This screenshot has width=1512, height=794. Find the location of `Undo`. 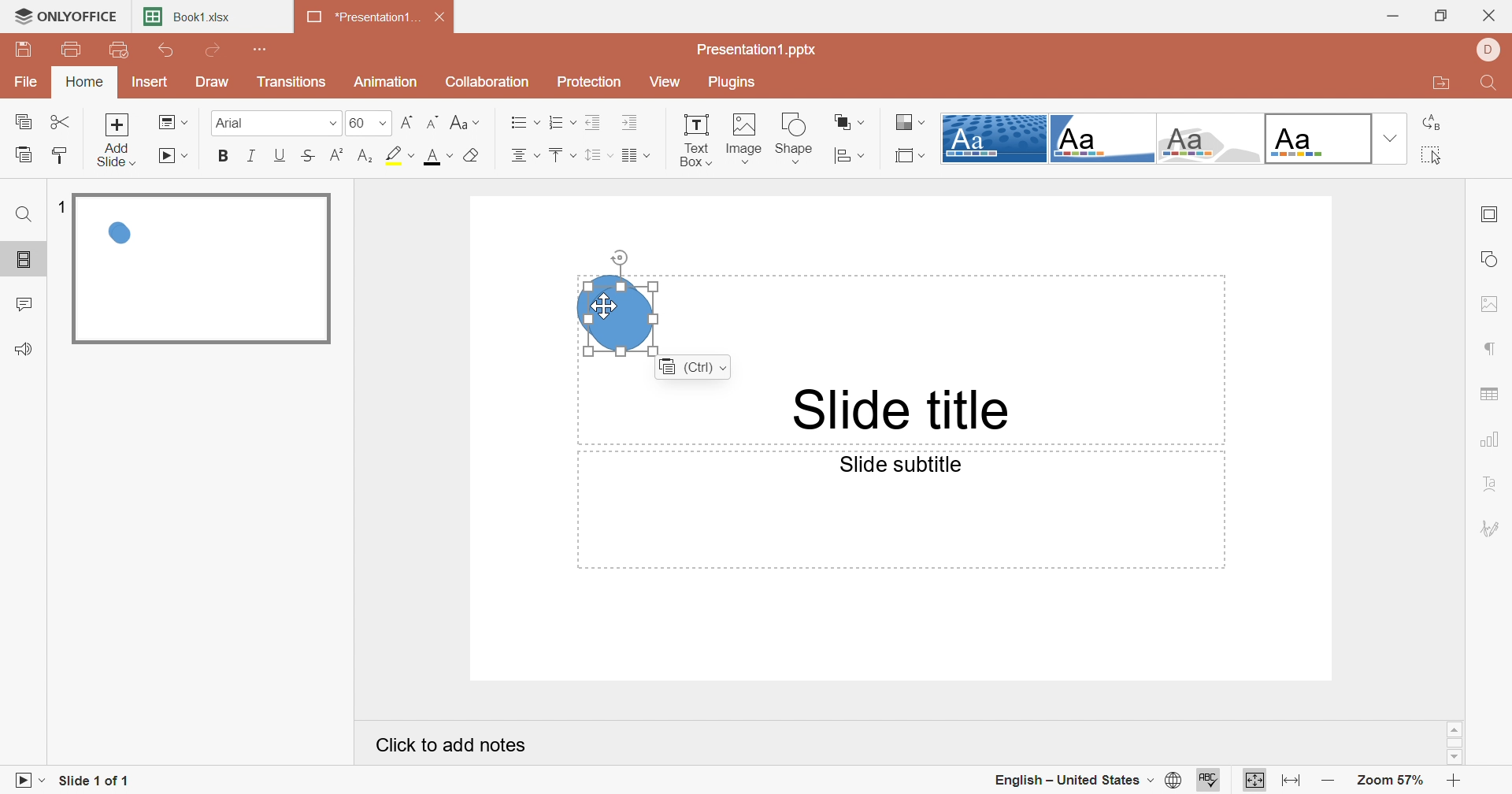

Undo is located at coordinates (169, 50).